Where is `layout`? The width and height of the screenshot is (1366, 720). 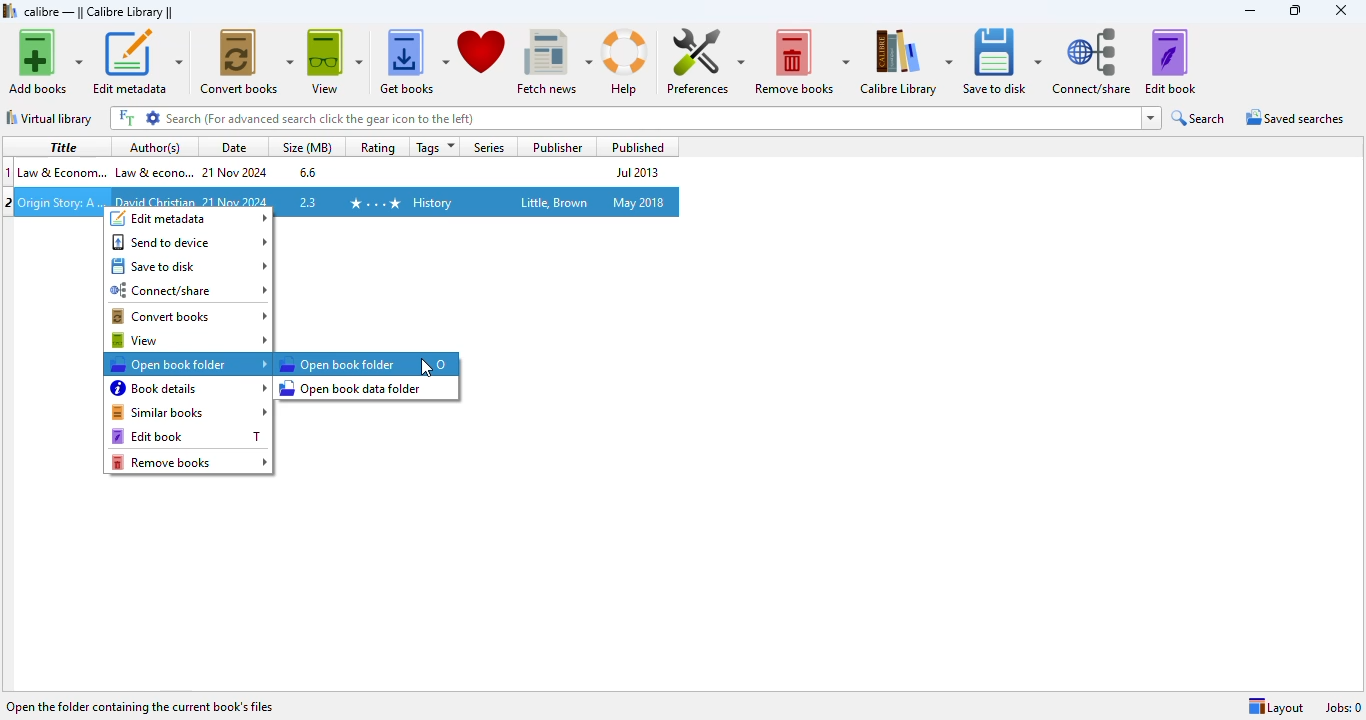 layout is located at coordinates (1276, 707).